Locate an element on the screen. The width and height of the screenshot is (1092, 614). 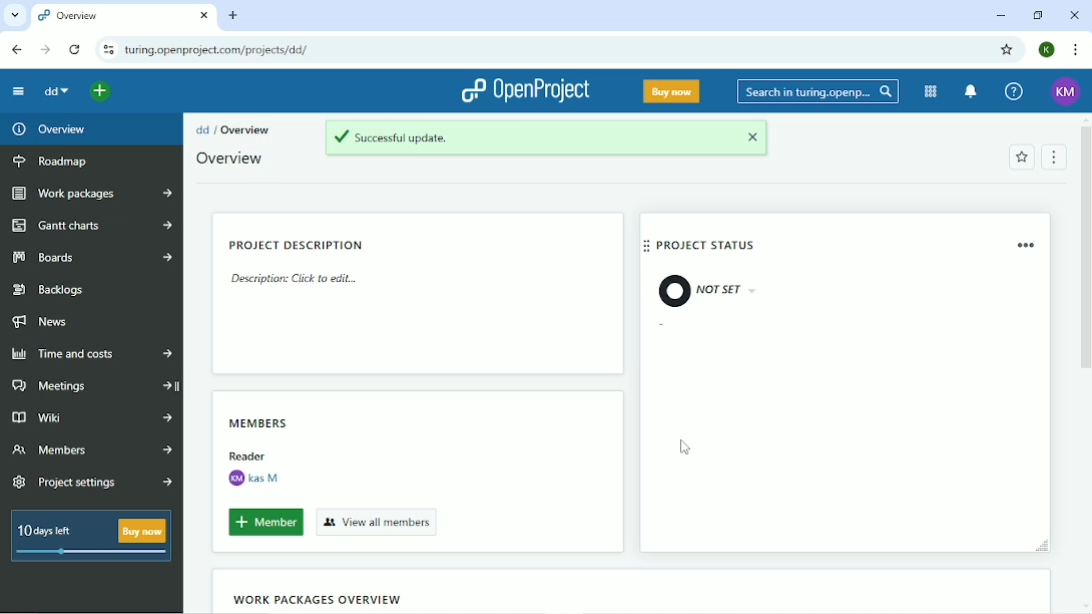
Site is located at coordinates (216, 50).